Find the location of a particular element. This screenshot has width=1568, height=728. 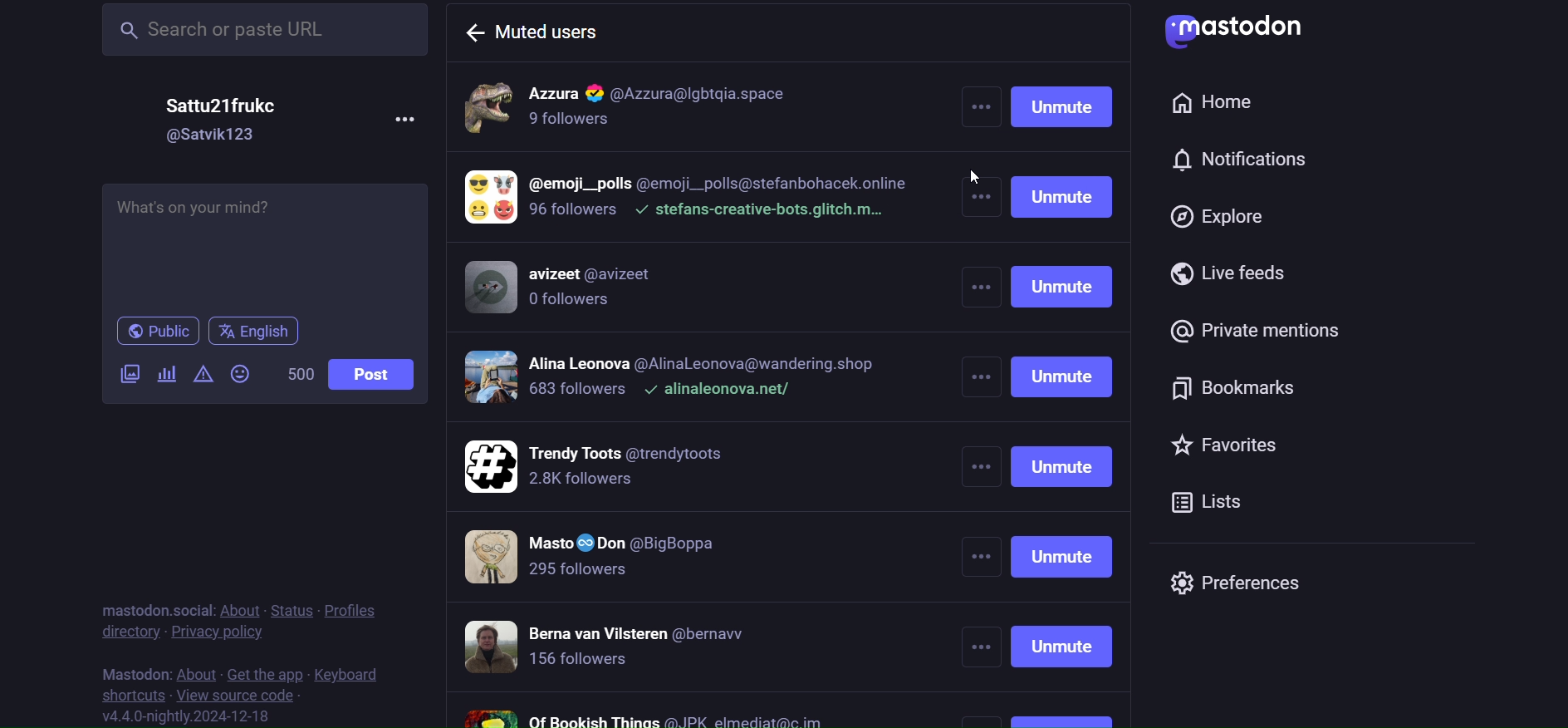

favorites is located at coordinates (1226, 442).